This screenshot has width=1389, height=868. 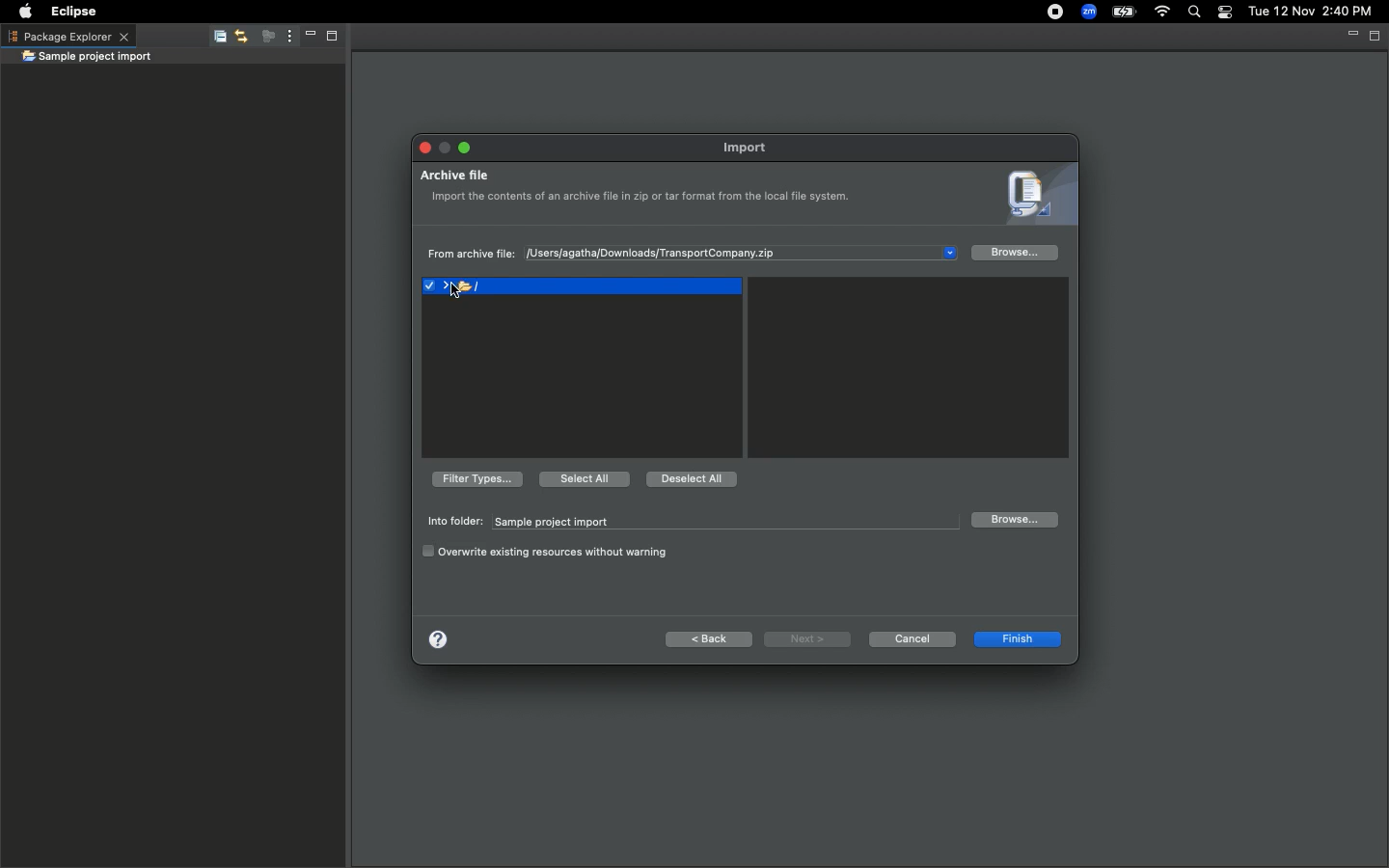 I want to click on Tue 12 nov 2:40 PM, so click(x=1310, y=12).